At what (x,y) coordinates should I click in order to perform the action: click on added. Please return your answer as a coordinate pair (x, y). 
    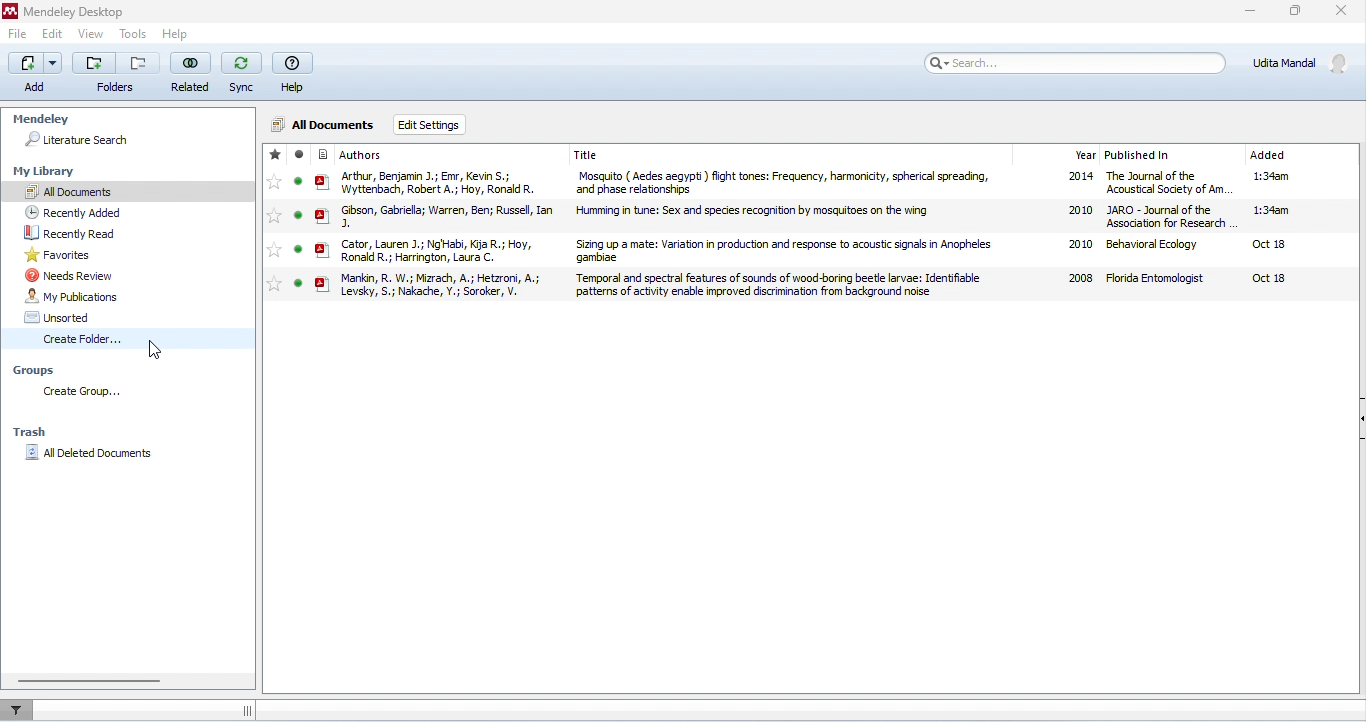
    Looking at the image, I should click on (1269, 157).